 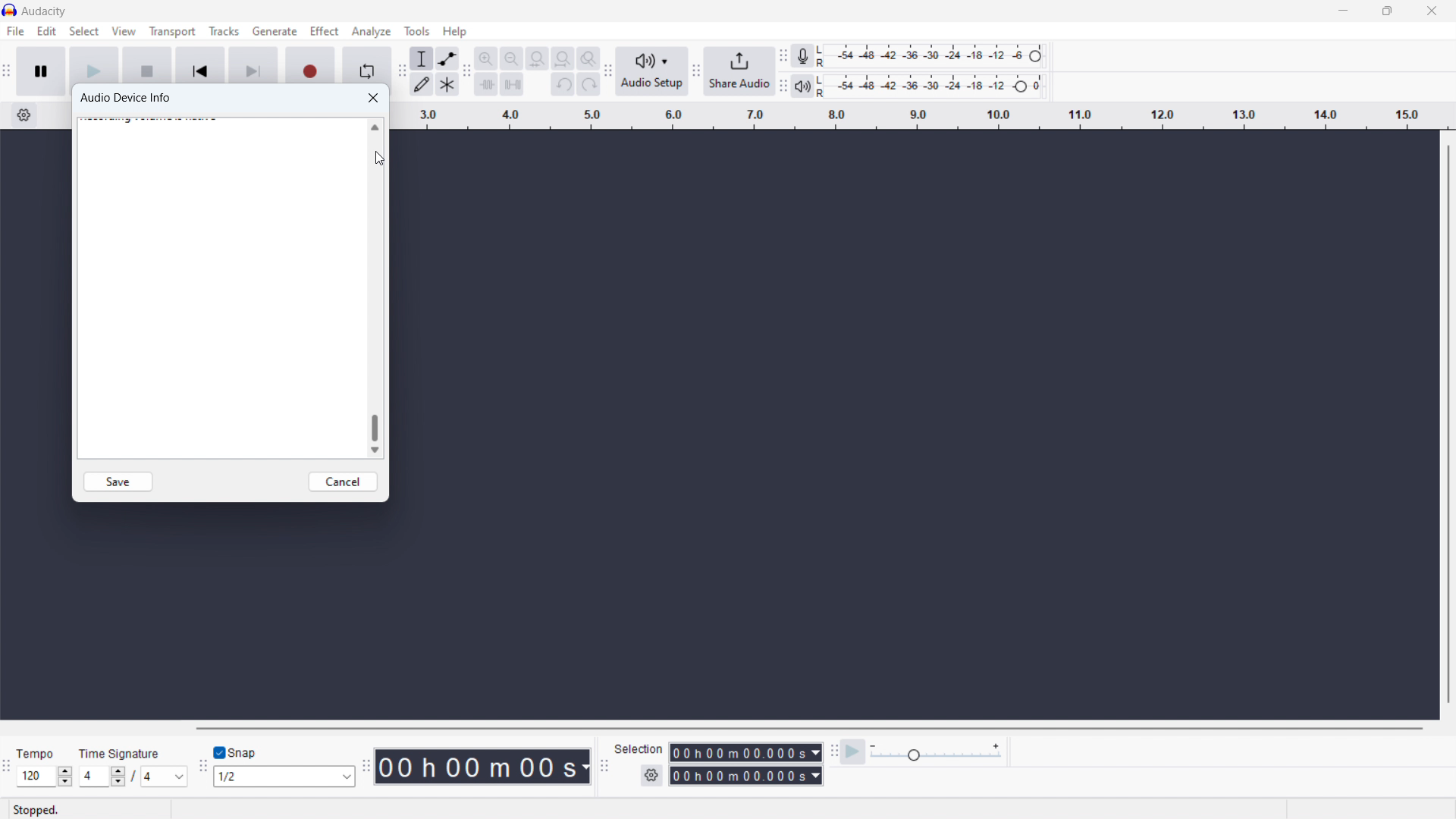 What do you see at coordinates (403, 71) in the screenshot?
I see `tools toolbar` at bounding box center [403, 71].